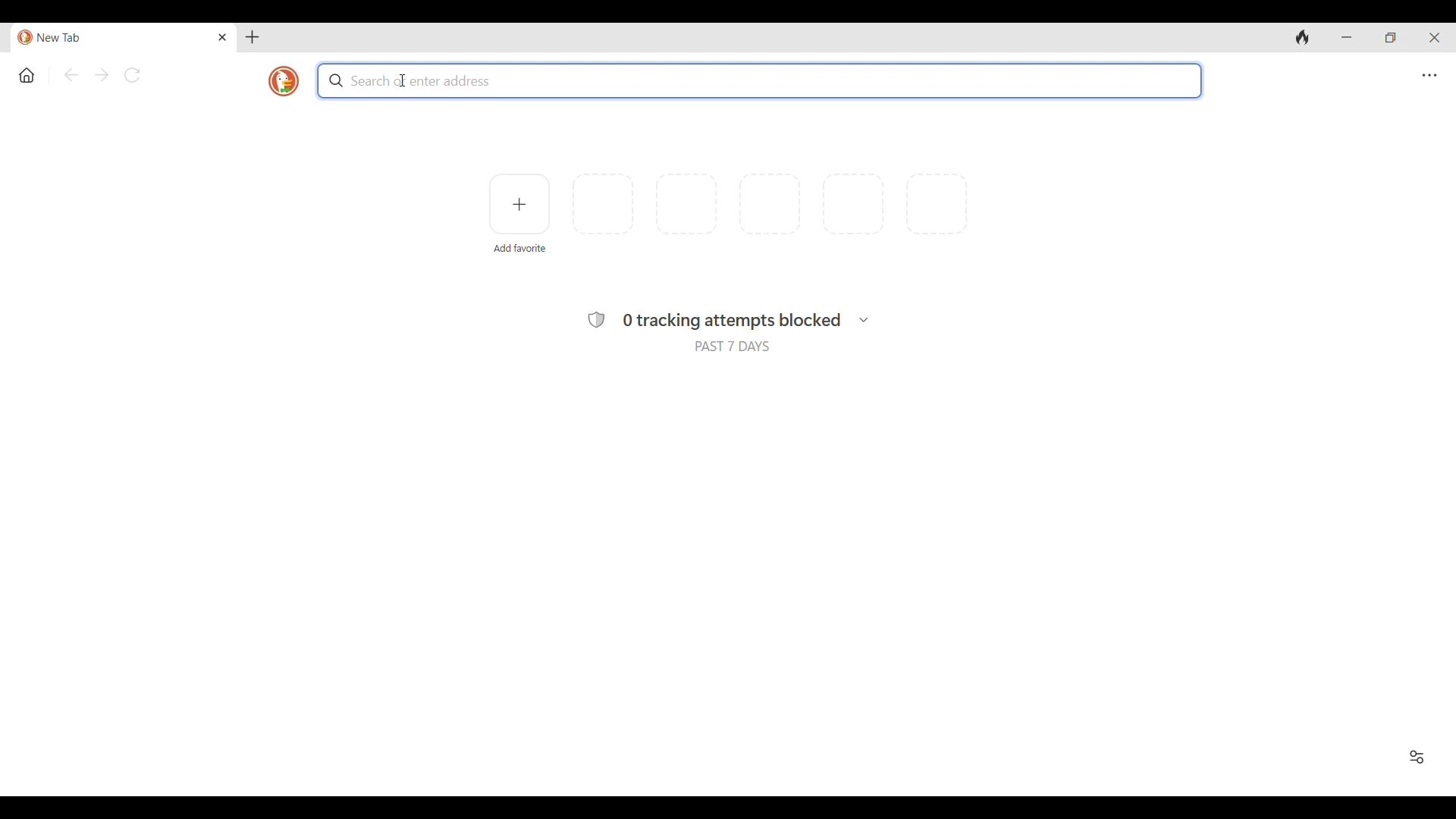 The width and height of the screenshot is (1456, 819). What do you see at coordinates (770, 204) in the screenshot?
I see `More space to add favorites` at bounding box center [770, 204].